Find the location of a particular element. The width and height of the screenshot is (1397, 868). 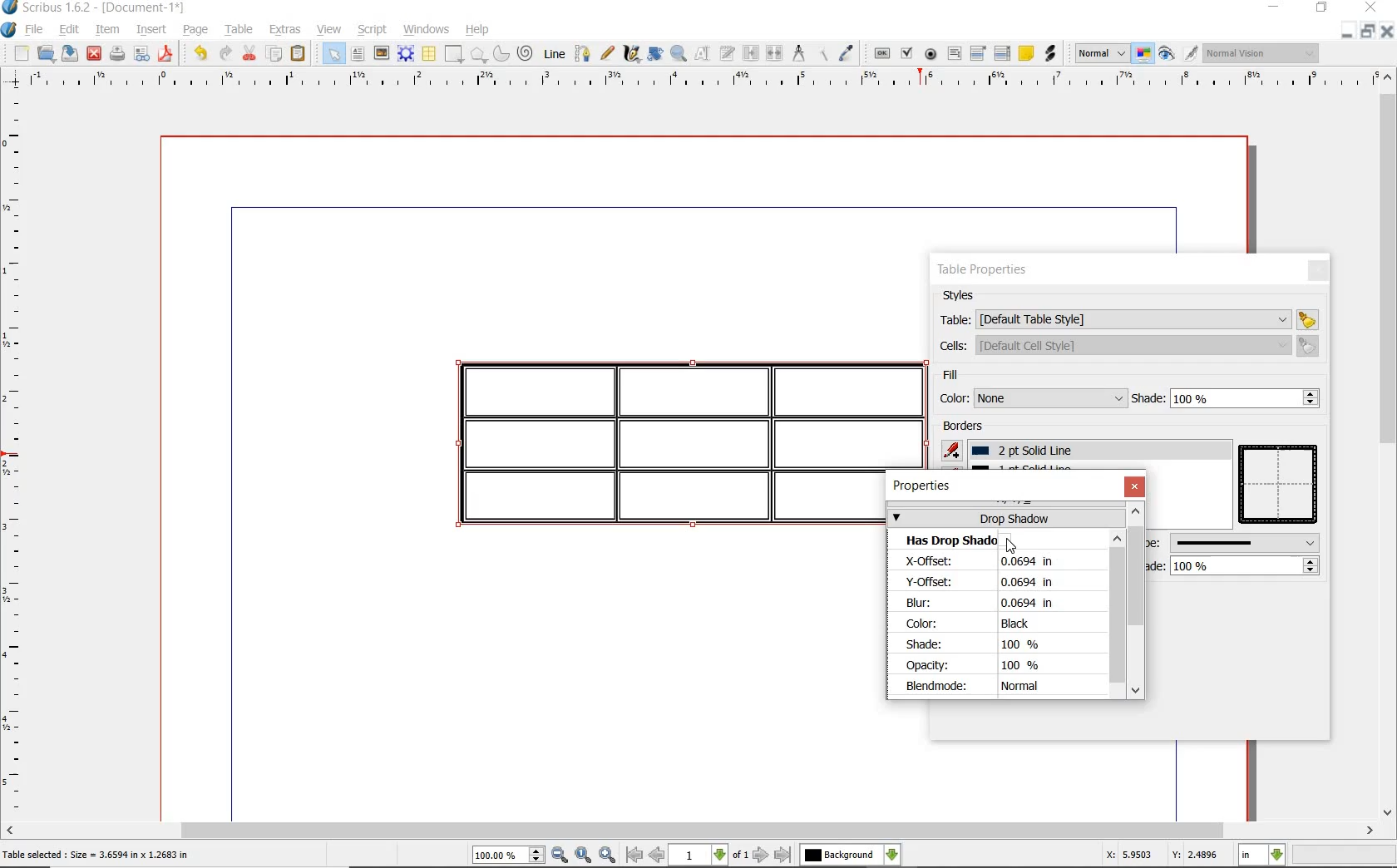

cells is located at coordinates (1126, 345).